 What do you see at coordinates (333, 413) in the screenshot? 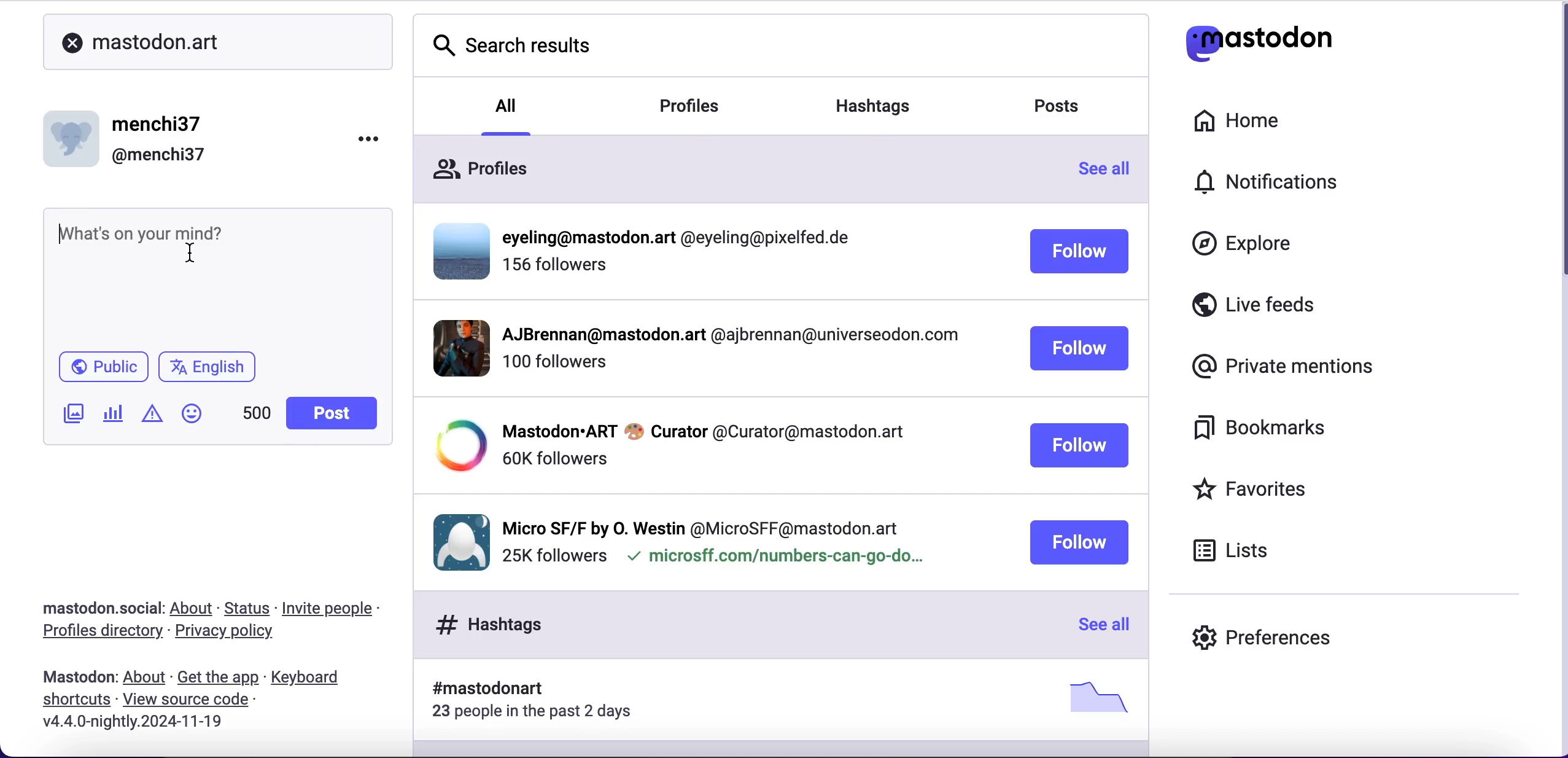
I see `post` at bounding box center [333, 413].